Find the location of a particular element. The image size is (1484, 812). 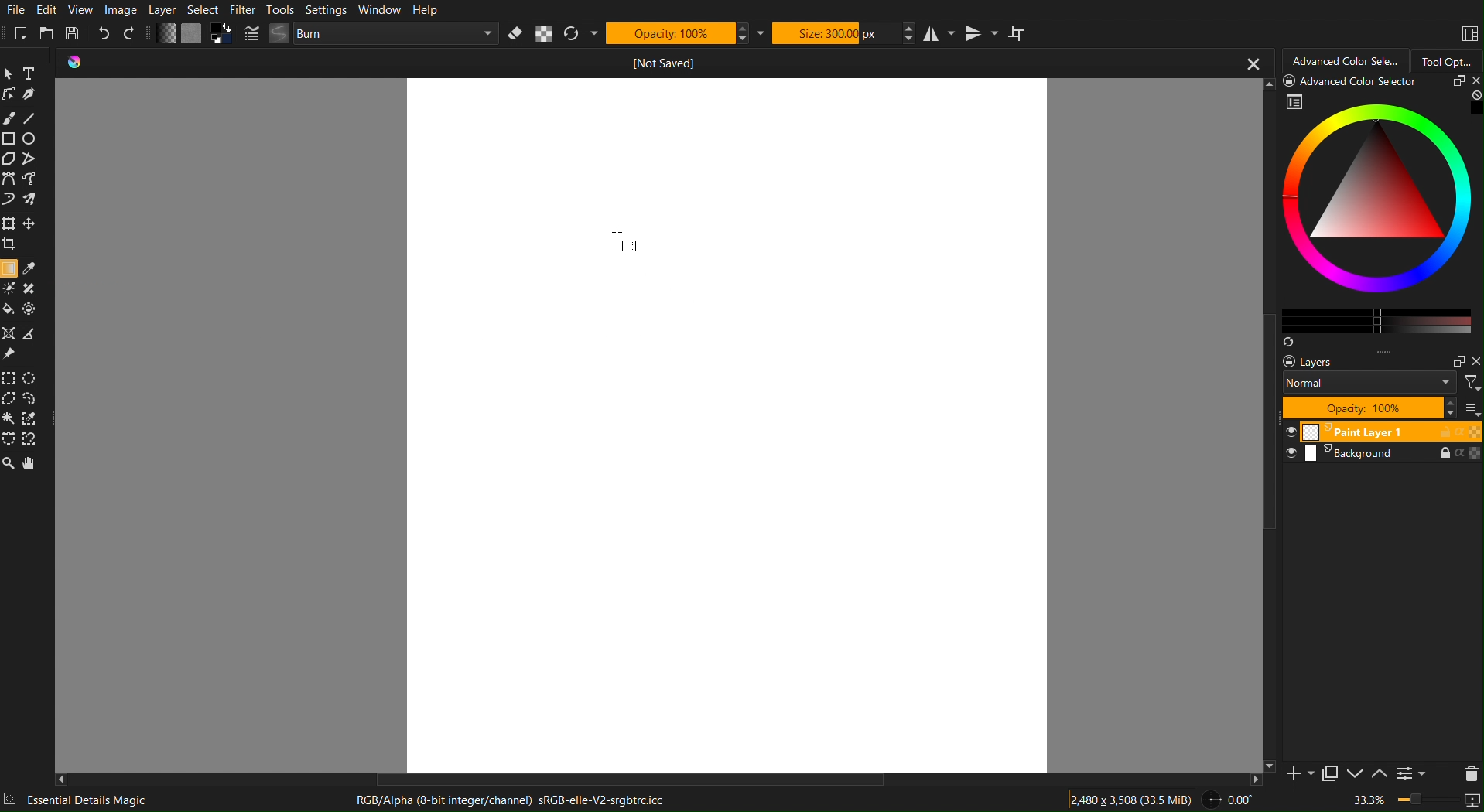

Circle is located at coordinates (31, 138).